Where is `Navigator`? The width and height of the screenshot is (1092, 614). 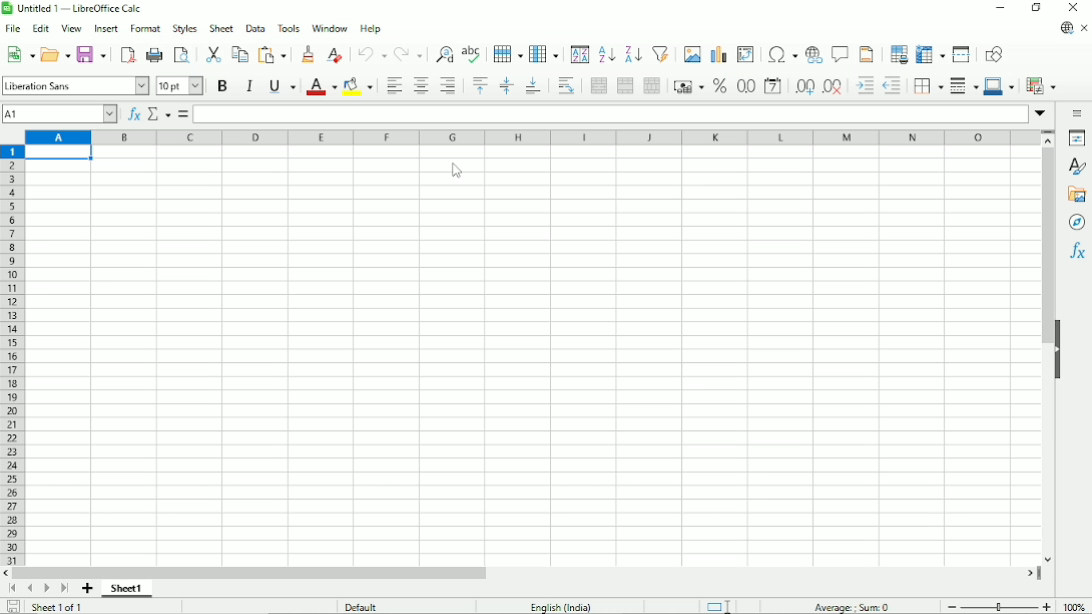
Navigator is located at coordinates (1076, 223).